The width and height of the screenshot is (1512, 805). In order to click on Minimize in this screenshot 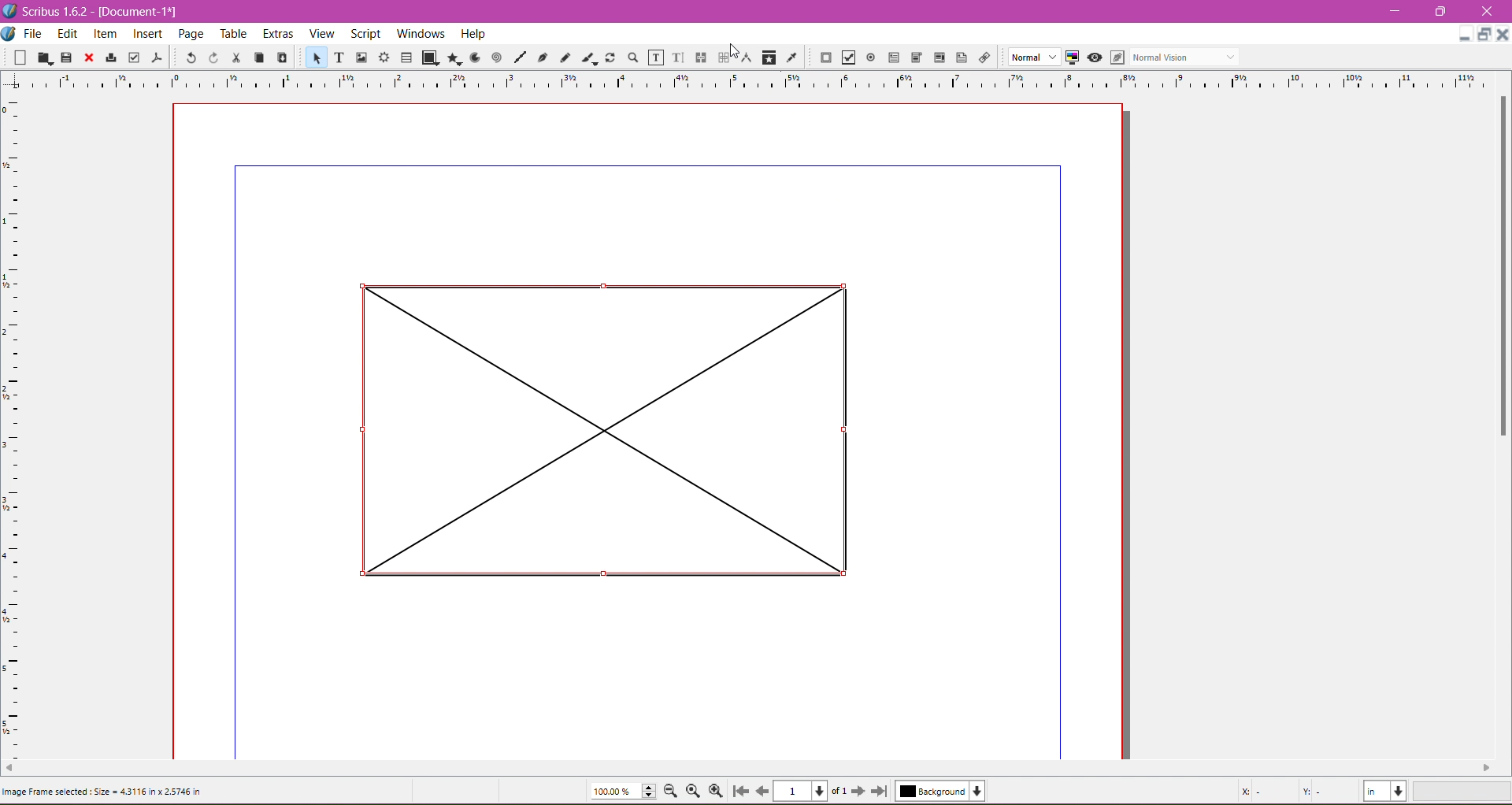, I will do `click(1396, 10)`.